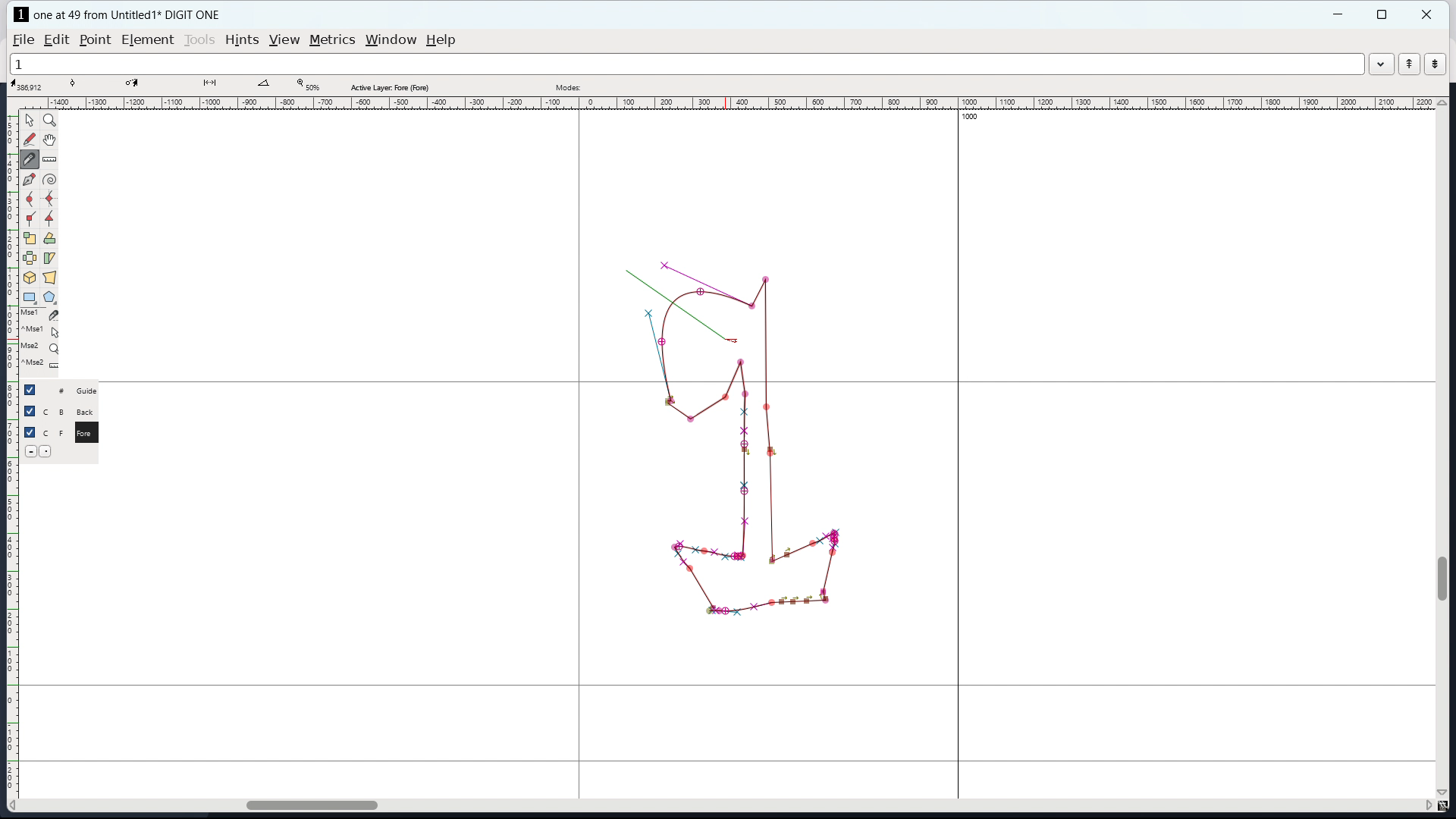 The height and width of the screenshot is (819, 1456). What do you see at coordinates (1382, 14) in the screenshot?
I see `maximize` at bounding box center [1382, 14].